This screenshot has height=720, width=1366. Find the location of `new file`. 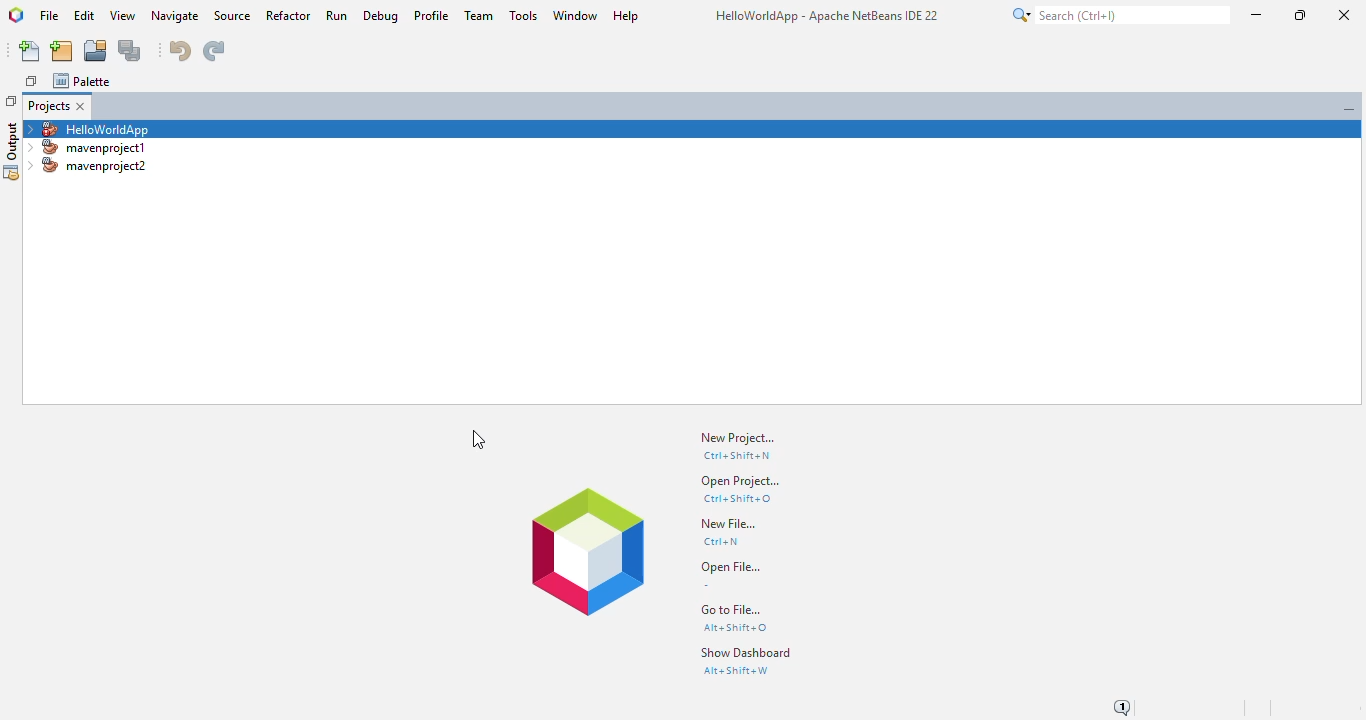

new file is located at coordinates (31, 51).